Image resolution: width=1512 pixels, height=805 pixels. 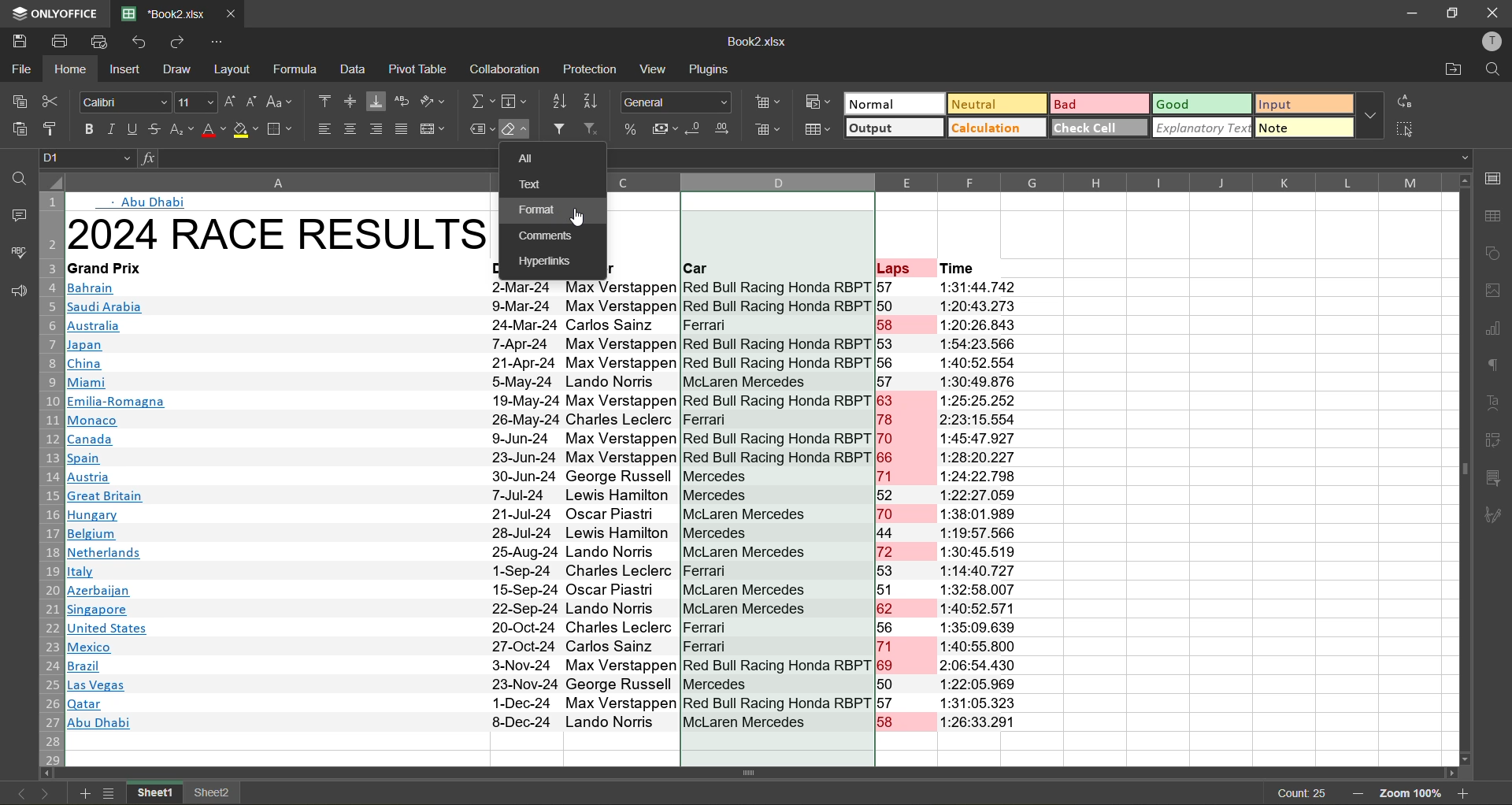 I want to click on Netherlands 25-Aug-24 Lando Norris McLaren Mercedes 72 1:30:45.519, so click(x=543, y=552).